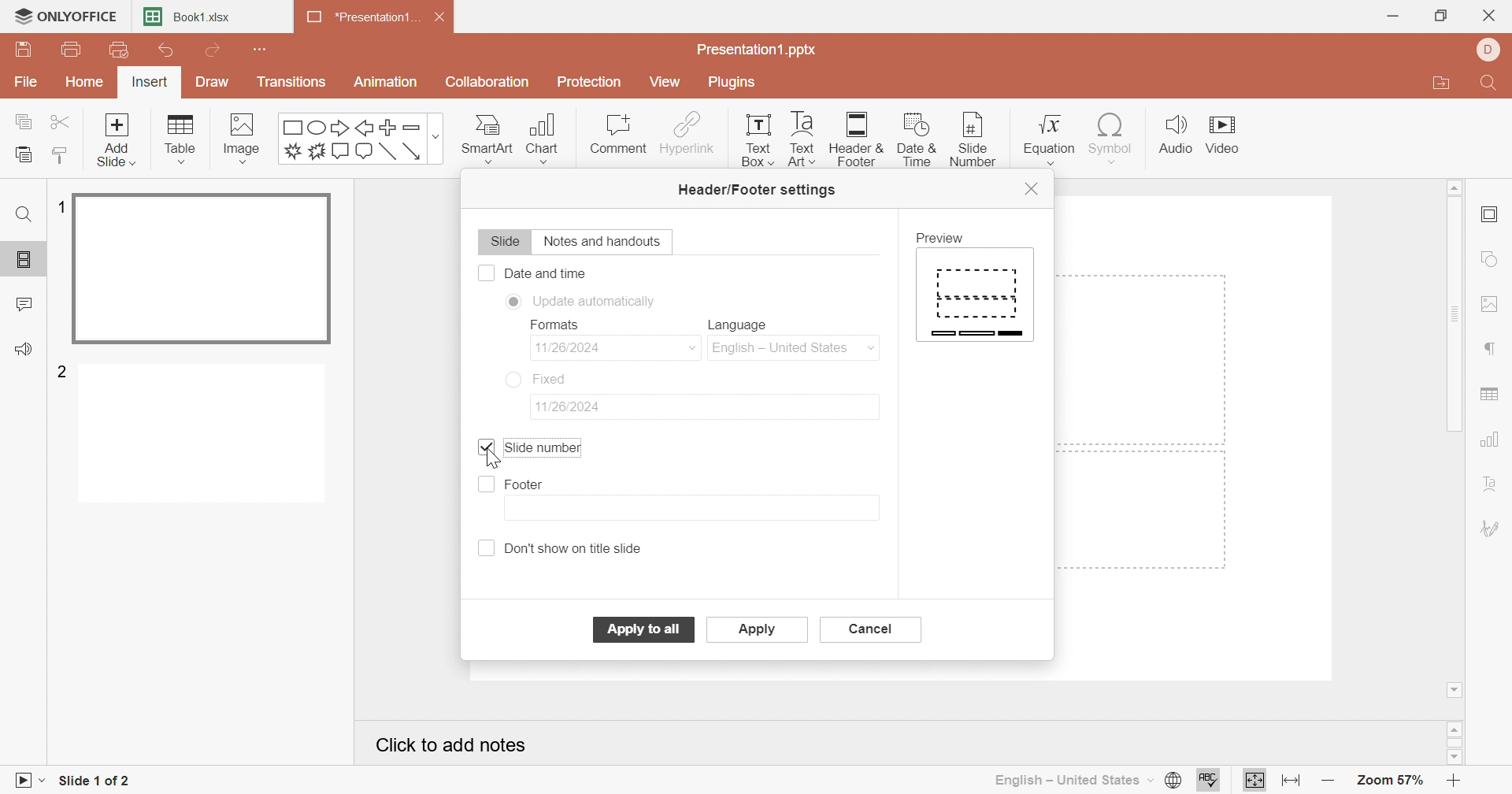  What do you see at coordinates (190, 18) in the screenshot?
I see `Book1.xlsx` at bounding box center [190, 18].